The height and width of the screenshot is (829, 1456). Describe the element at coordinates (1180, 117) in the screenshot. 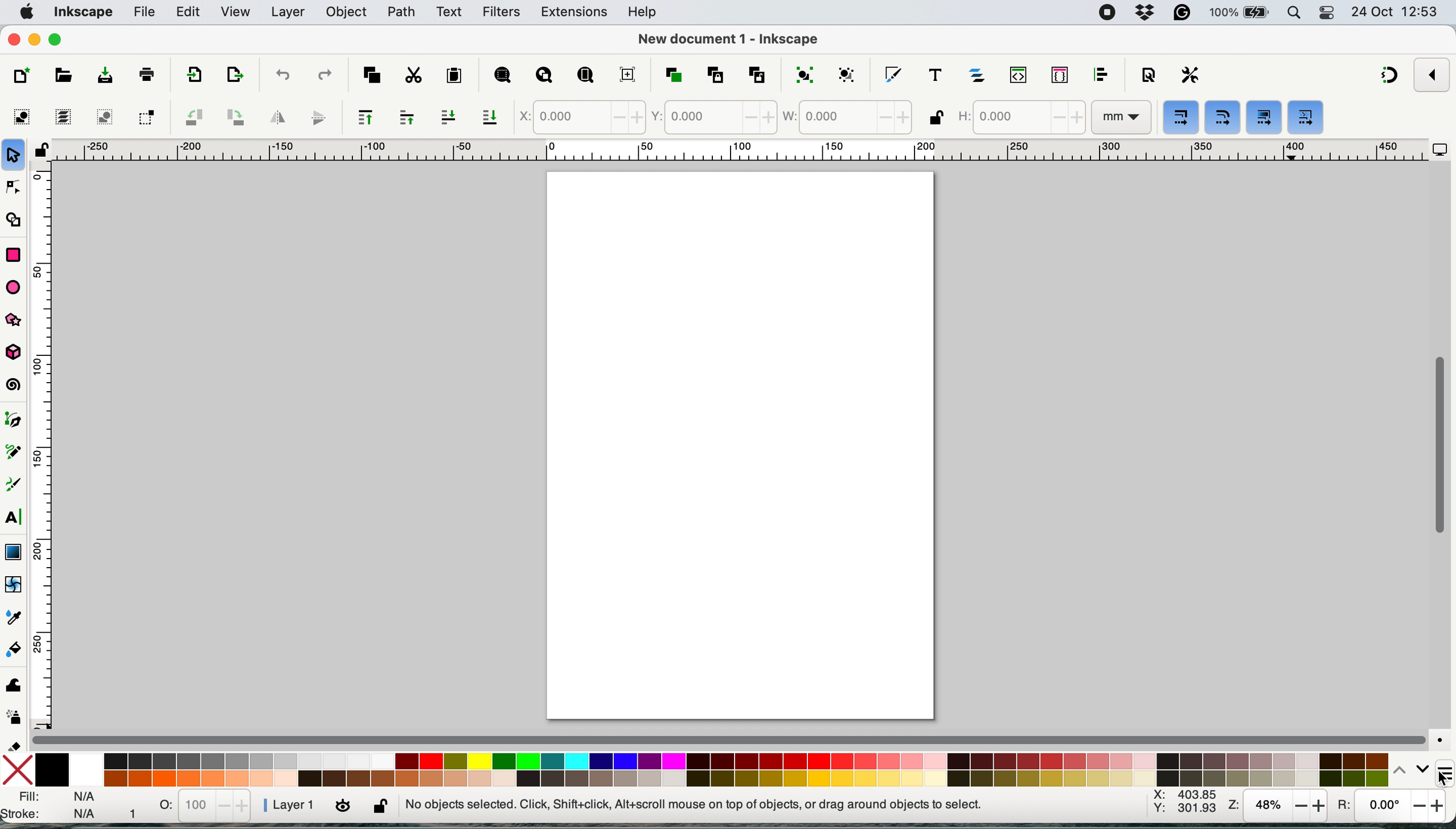

I see `when scaling objects scale the stroke width by the same proportion` at that location.